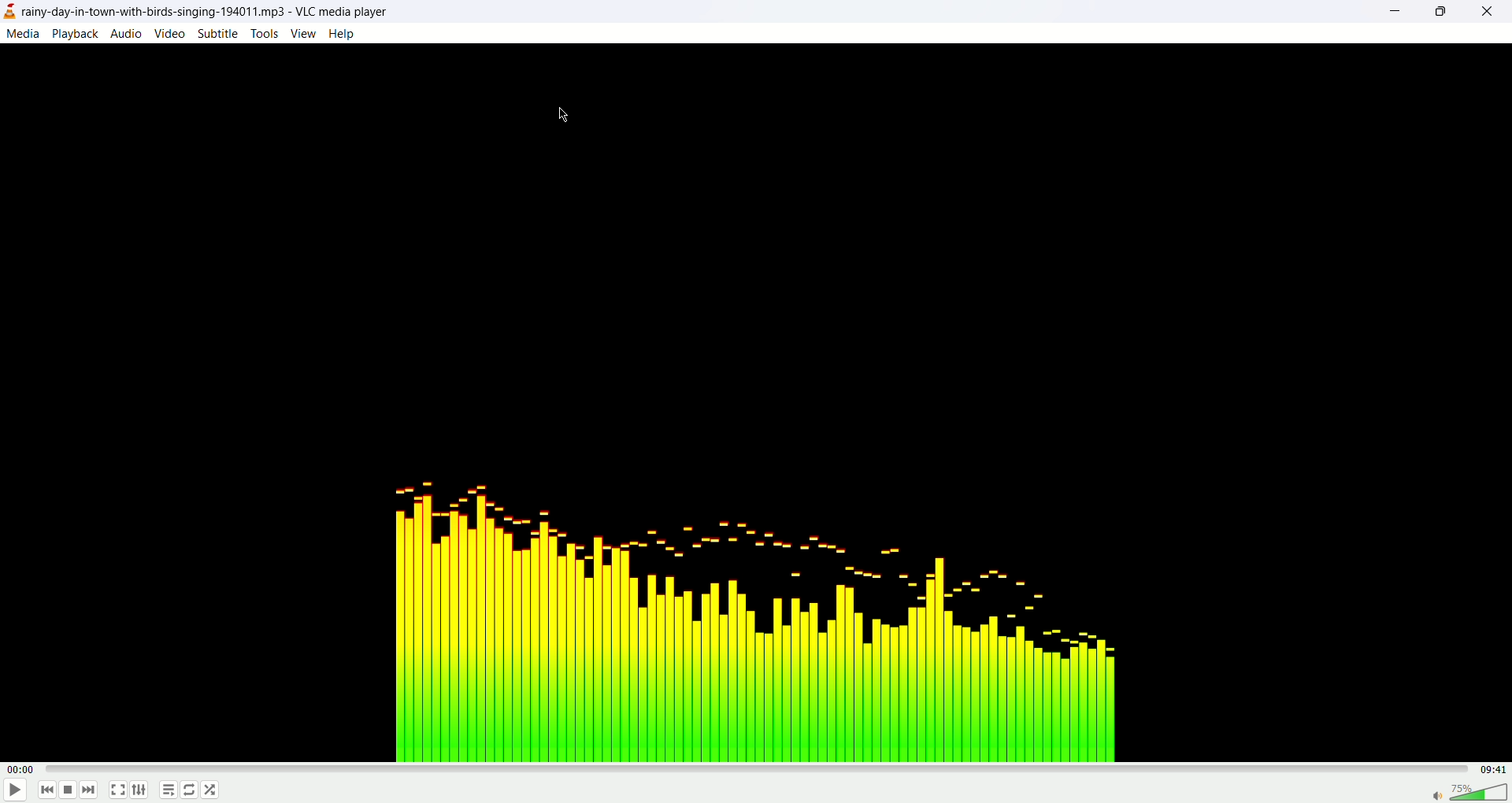 Image resolution: width=1512 pixels, height=803 pixels. I want to click on playback, so click(76, 34).